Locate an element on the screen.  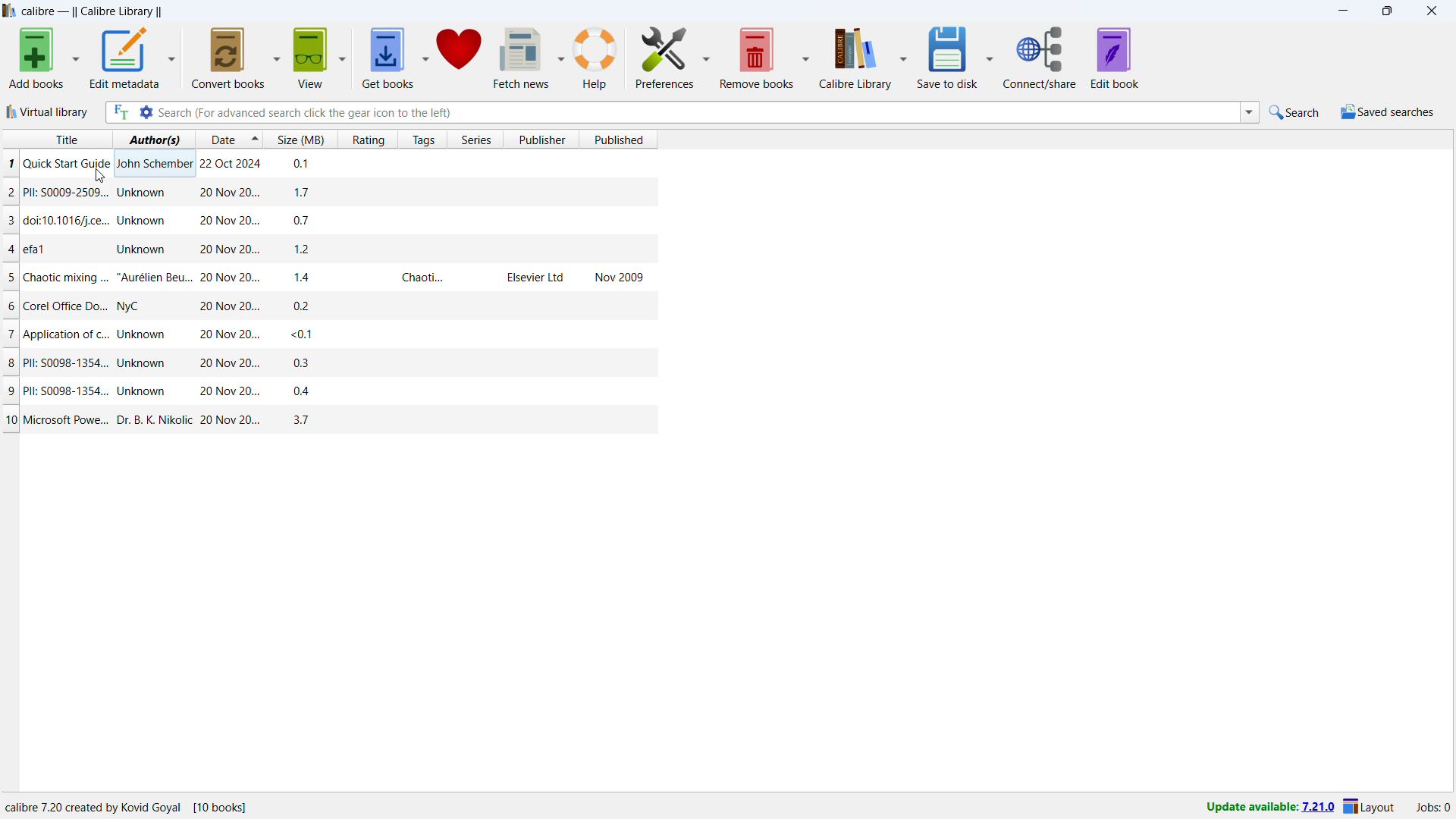
calibre library options is located at coordinates (903, 57).